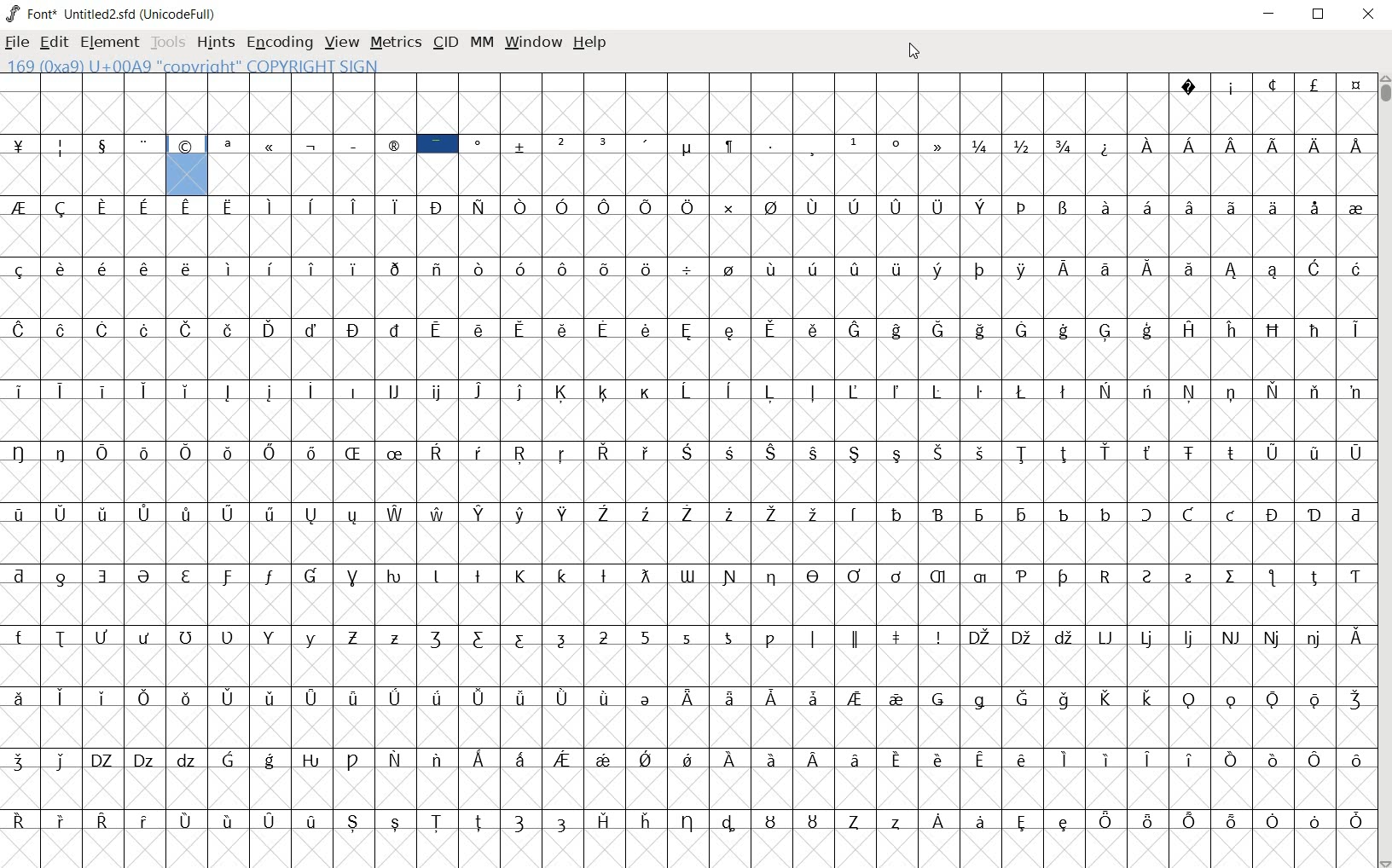 This screenshot has height=868, width=1392. What do you see at coordinates (342, 43) in the screenshot?
I see `view` at bounding box center [342, 43].